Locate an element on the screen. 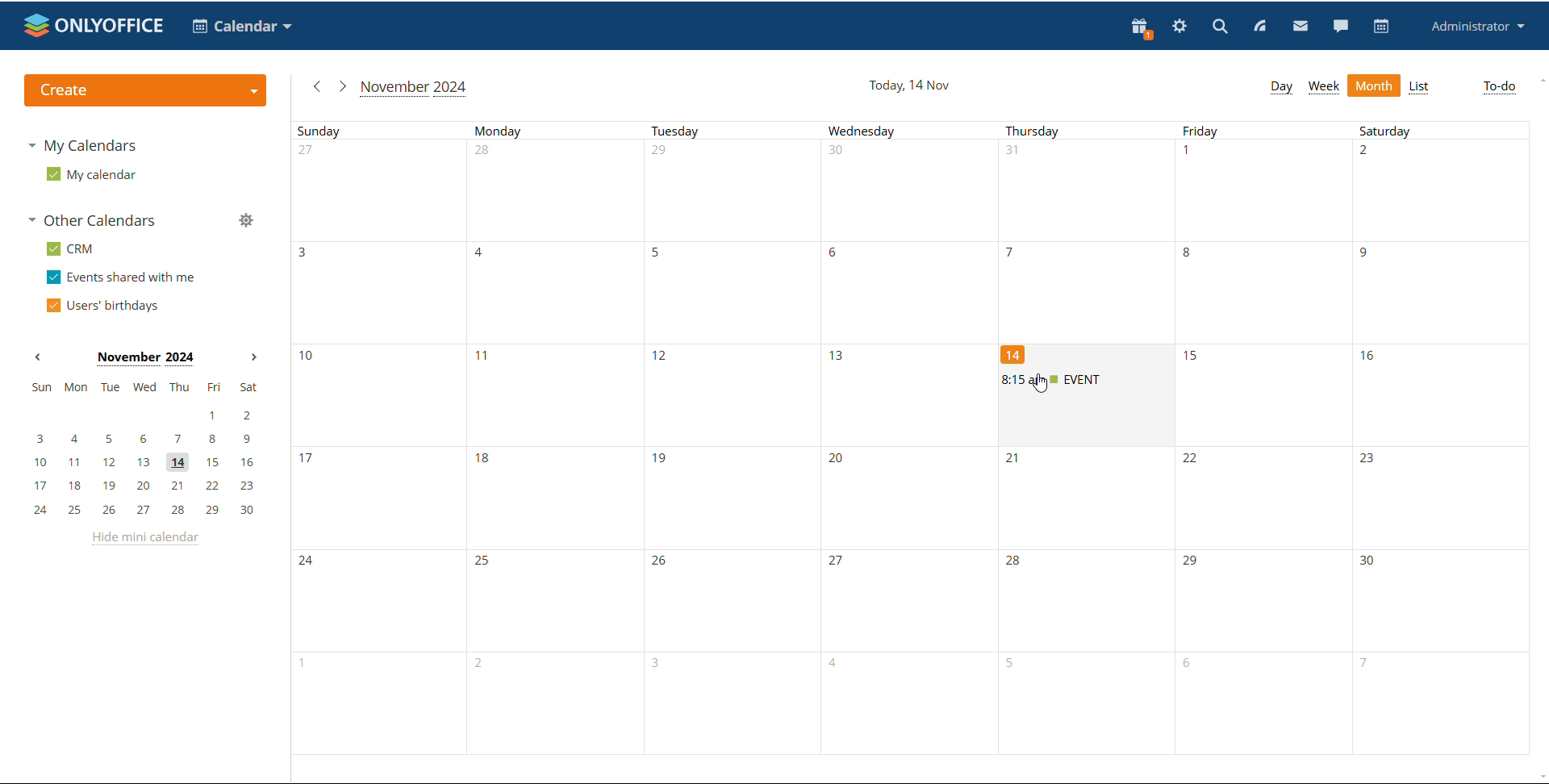  scroll down is located at coordinates (1539, 778).